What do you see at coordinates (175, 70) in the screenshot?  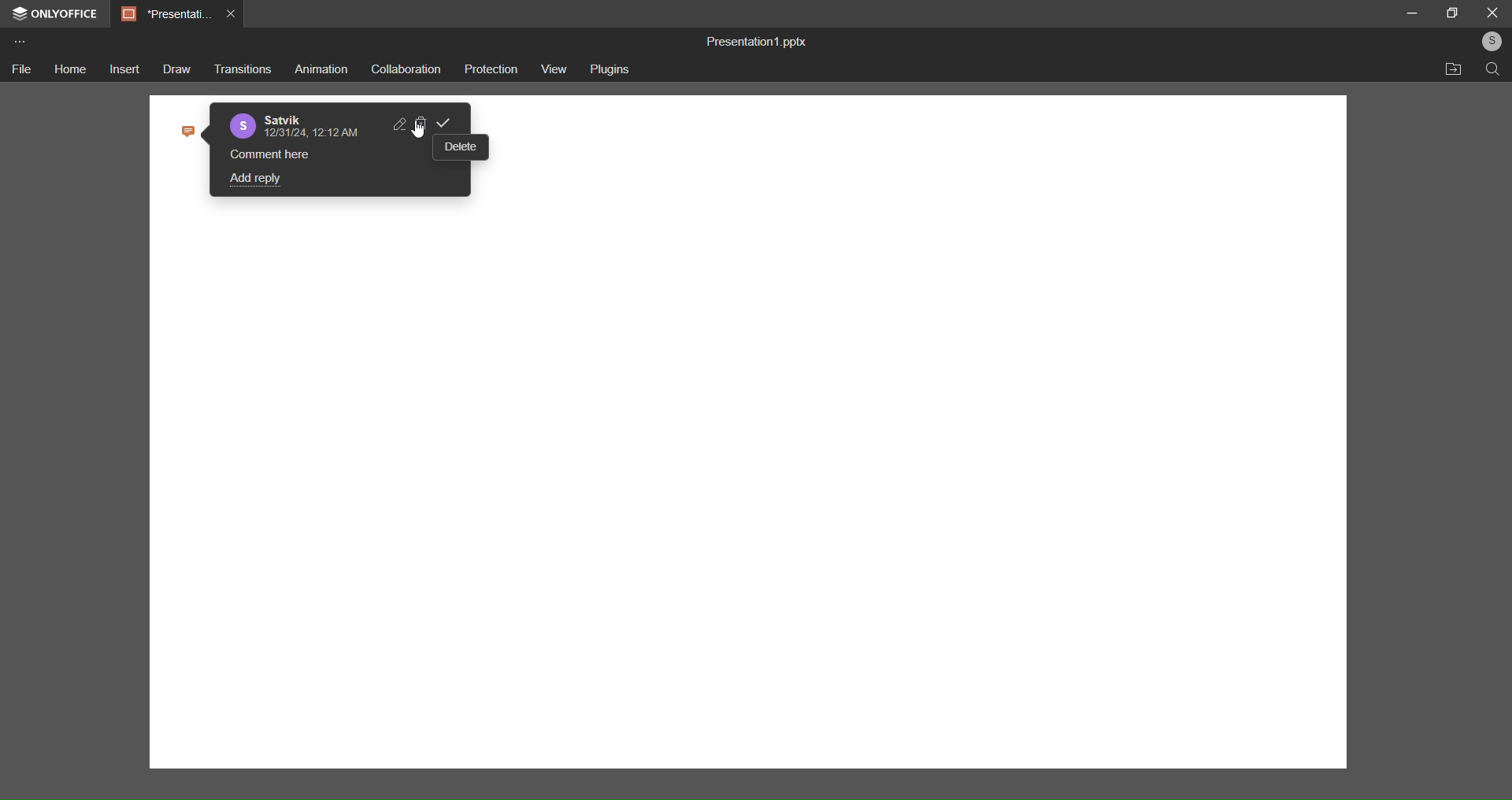 I see `draw` at bounding box center [175, 70].